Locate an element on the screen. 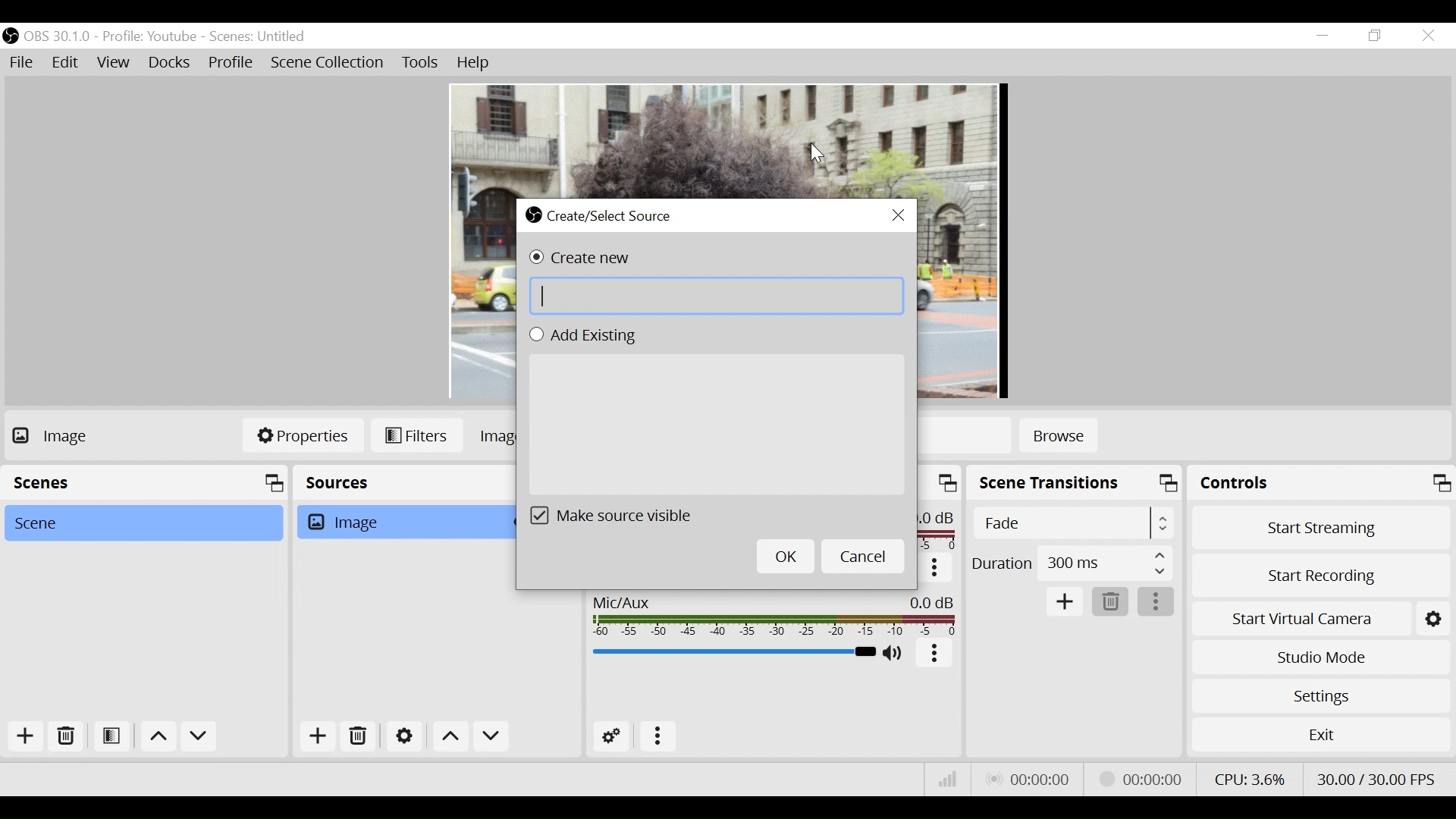 The width and height of the screenshot is (1456, 819). Docks is located at coordinates (169, 64).